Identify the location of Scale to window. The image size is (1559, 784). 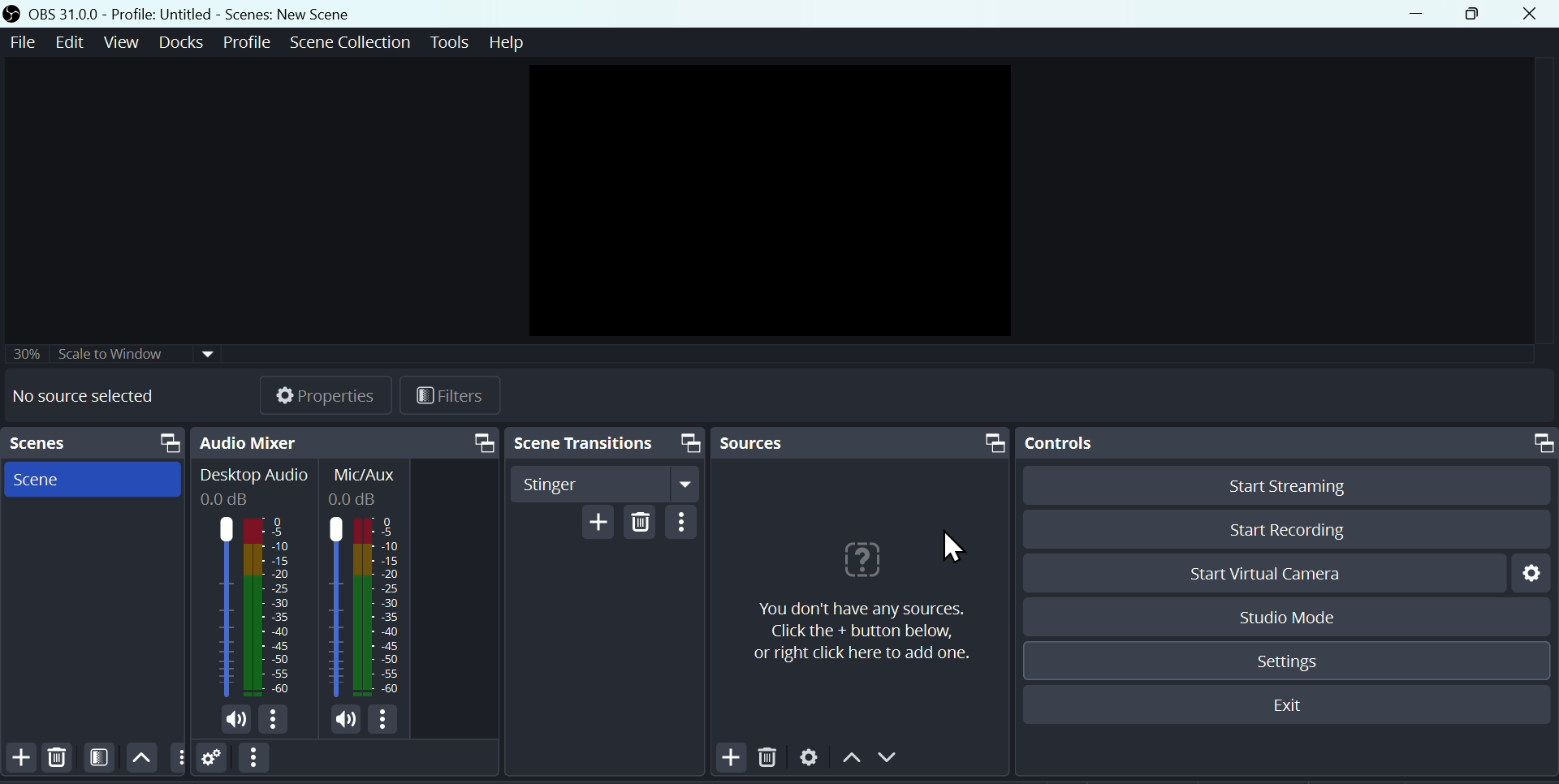
(144, 353).